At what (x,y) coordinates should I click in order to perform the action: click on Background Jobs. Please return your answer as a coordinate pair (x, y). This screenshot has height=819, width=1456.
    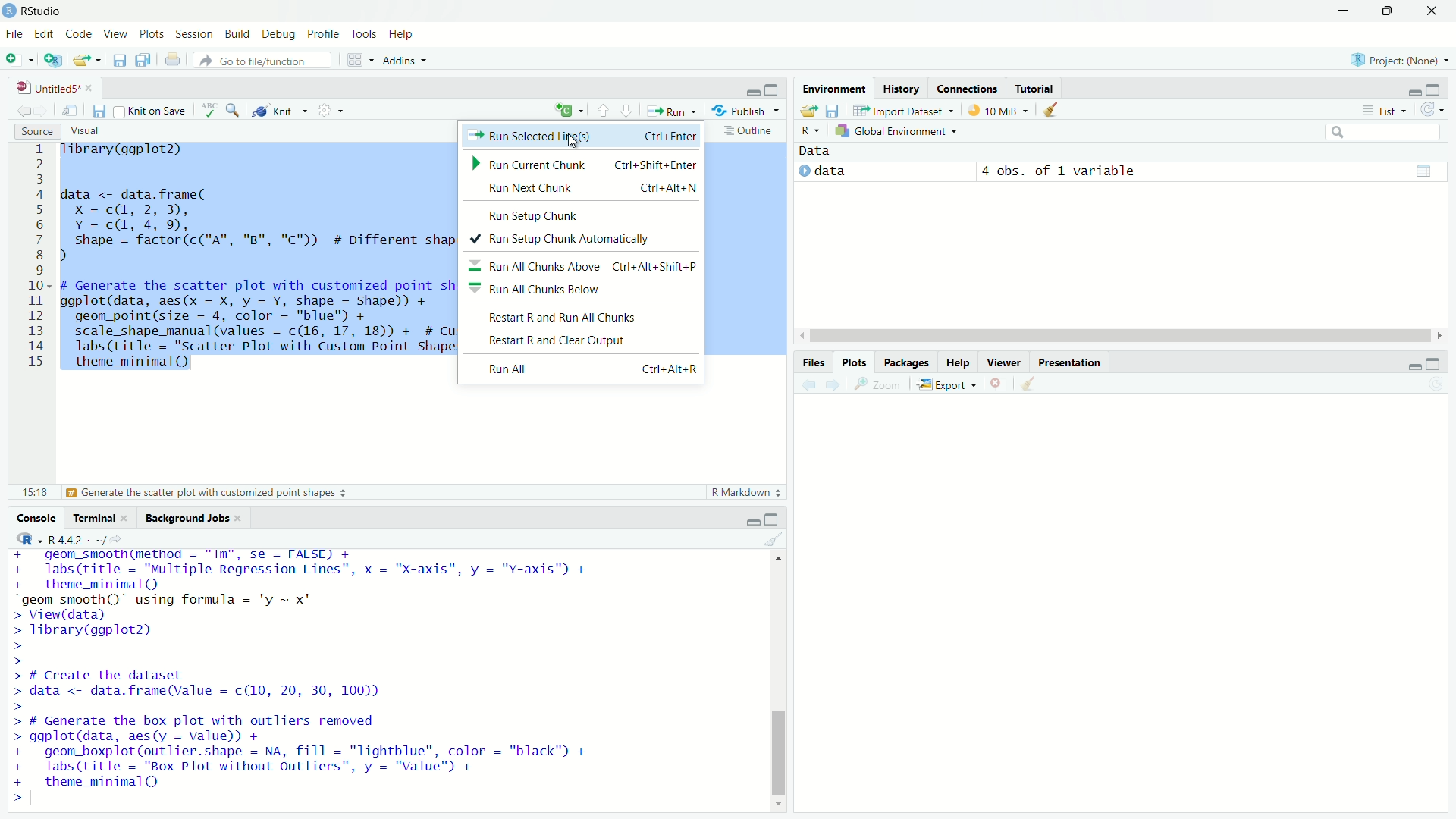
    Looking at the image, I should click on (184, 517).